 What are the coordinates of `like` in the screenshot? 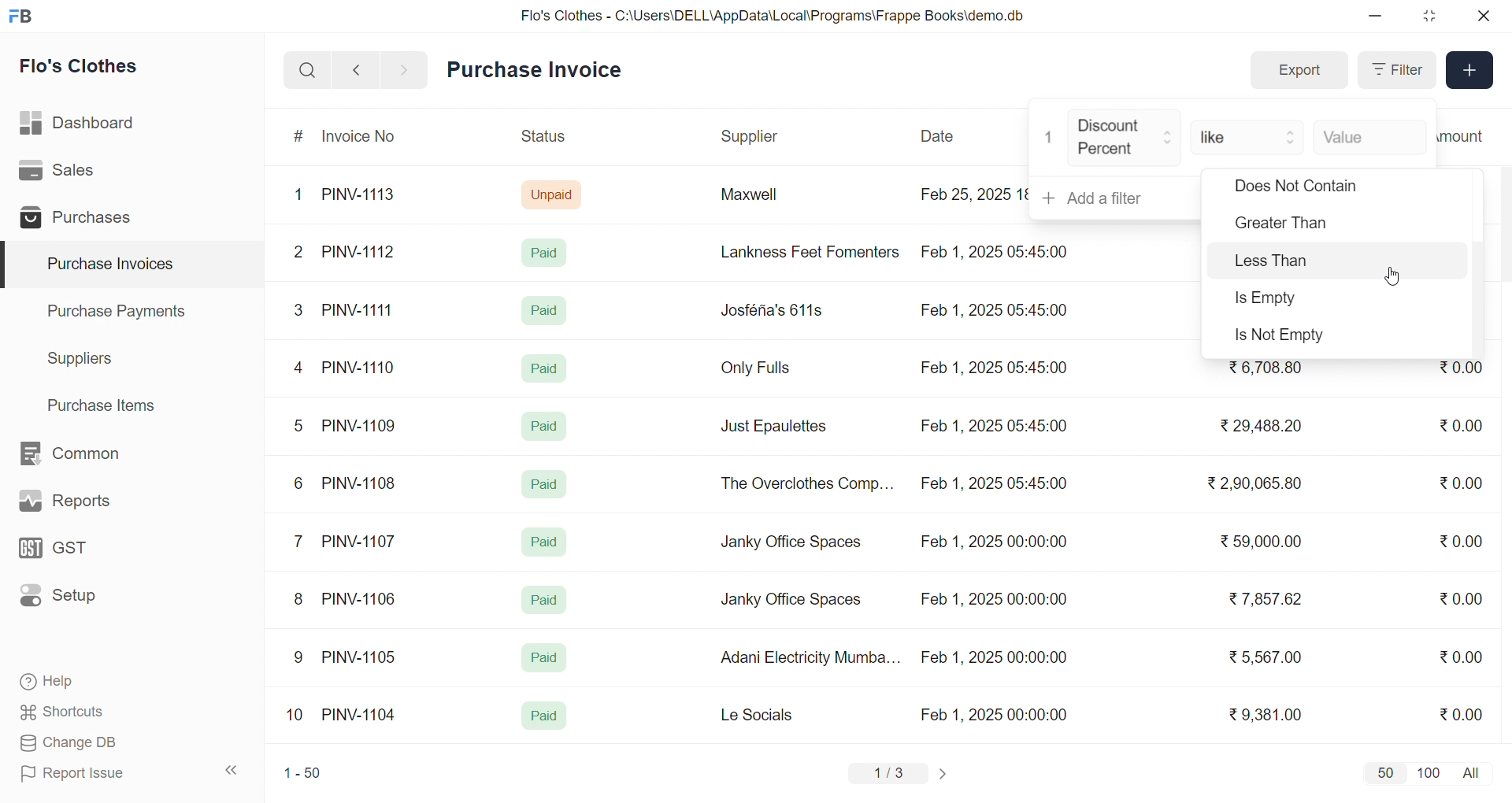 It's located at (1249, 135).